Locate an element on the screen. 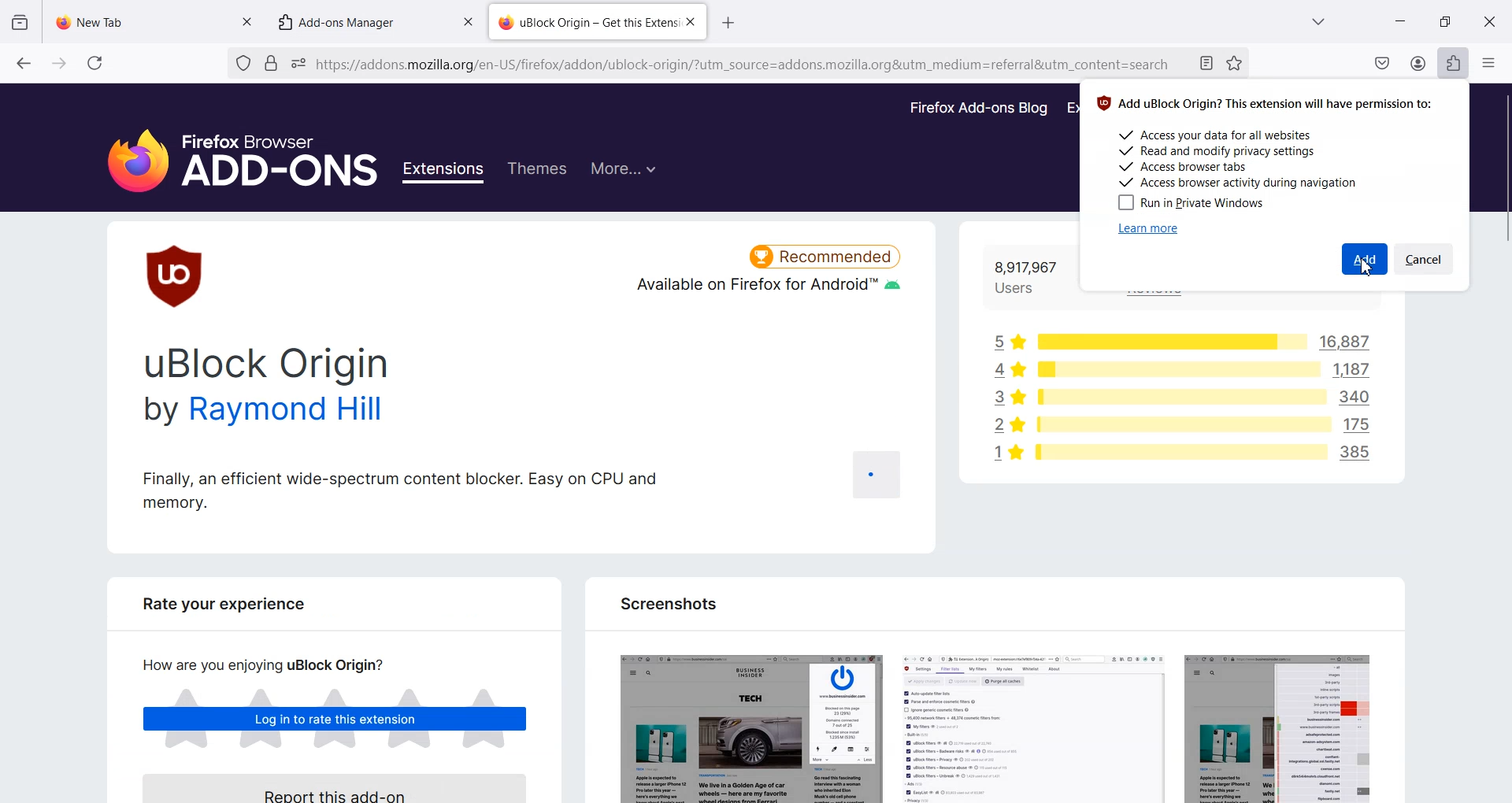  Learn More is located at coordinates (1149, 228).